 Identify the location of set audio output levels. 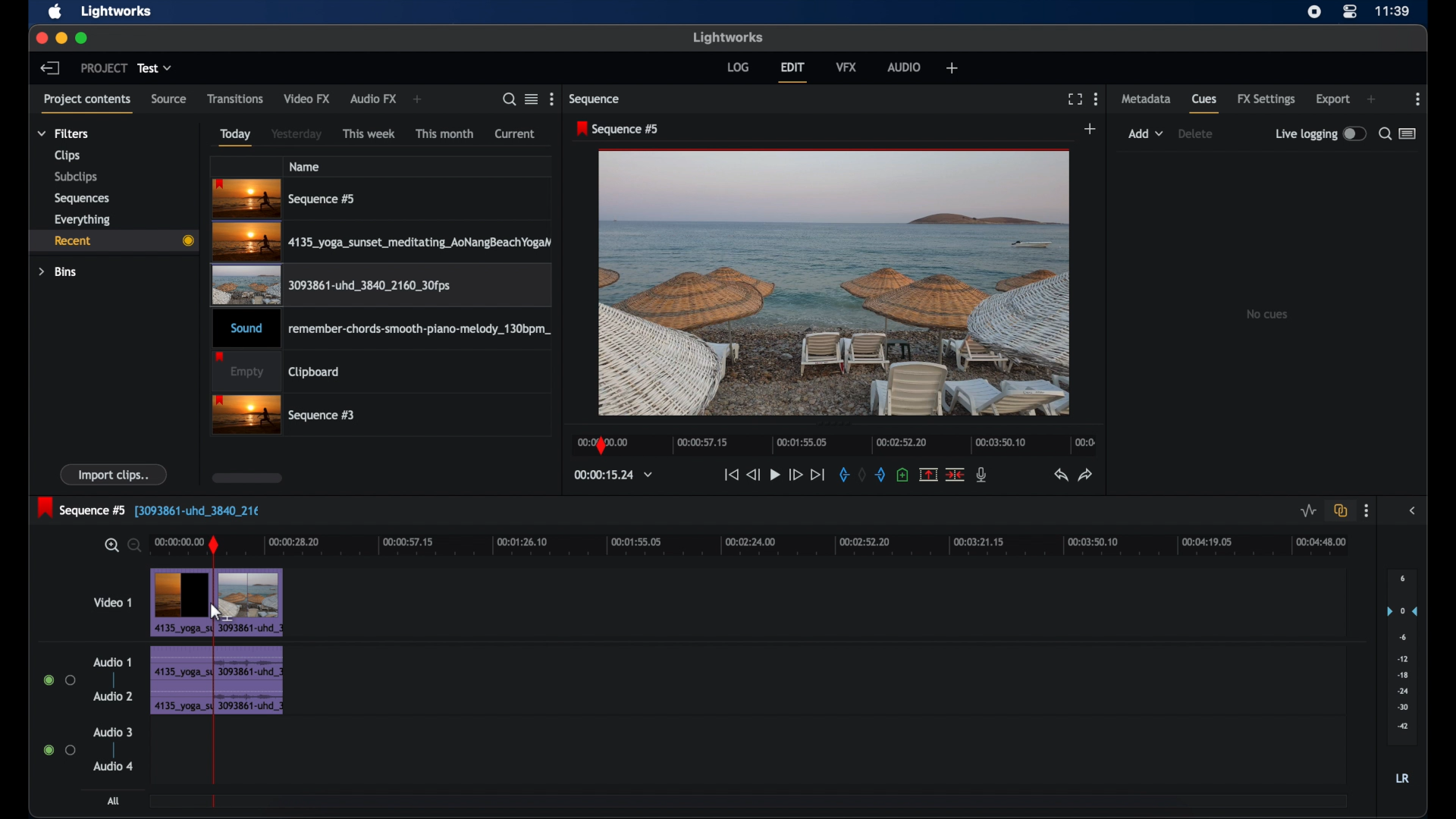
(1401, 657).